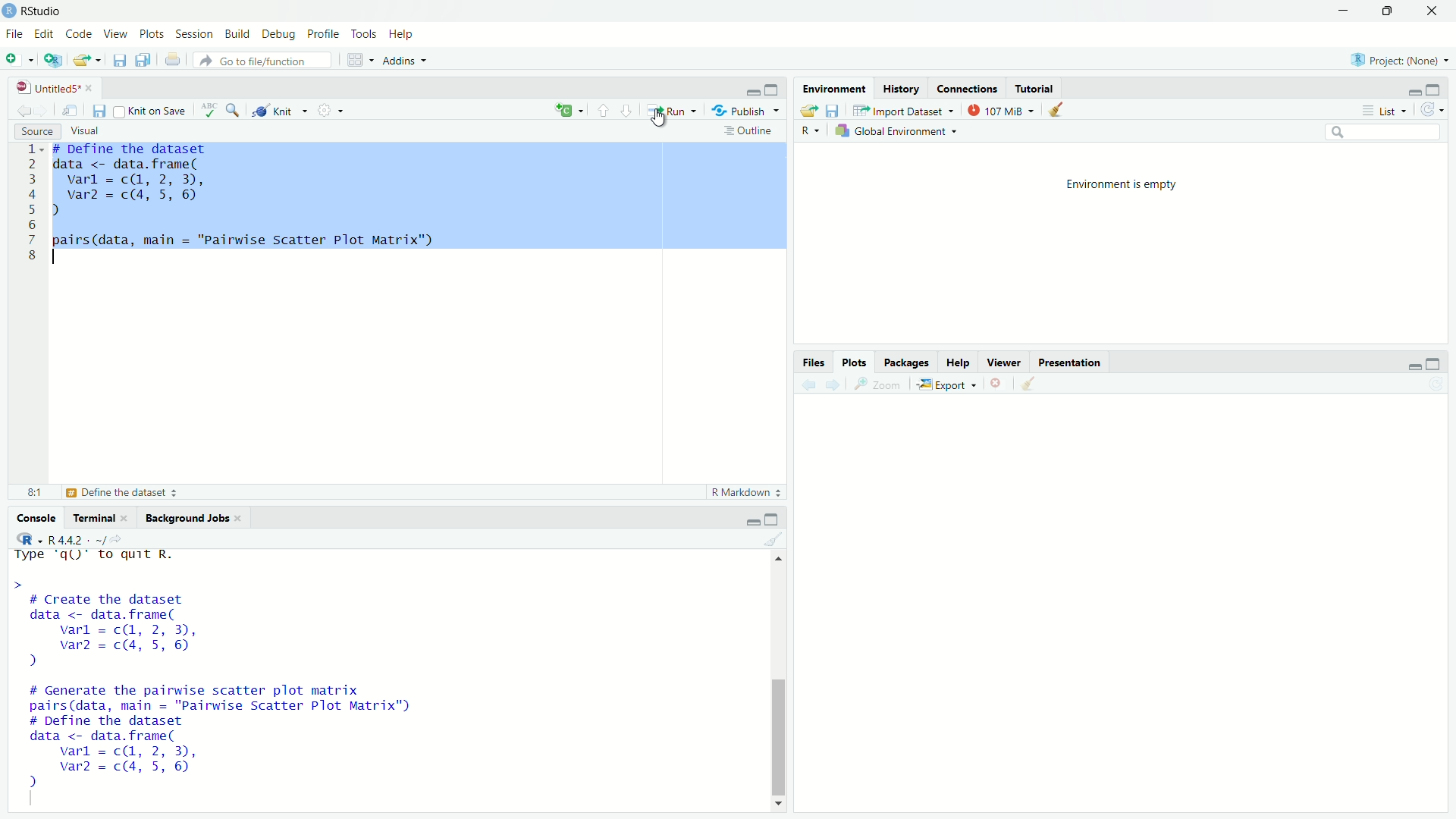 This screenshot has height=819, width=1456. Describe the element at coordinates (118, 537) in the screenshot. I see `View the current working directory` at that location.